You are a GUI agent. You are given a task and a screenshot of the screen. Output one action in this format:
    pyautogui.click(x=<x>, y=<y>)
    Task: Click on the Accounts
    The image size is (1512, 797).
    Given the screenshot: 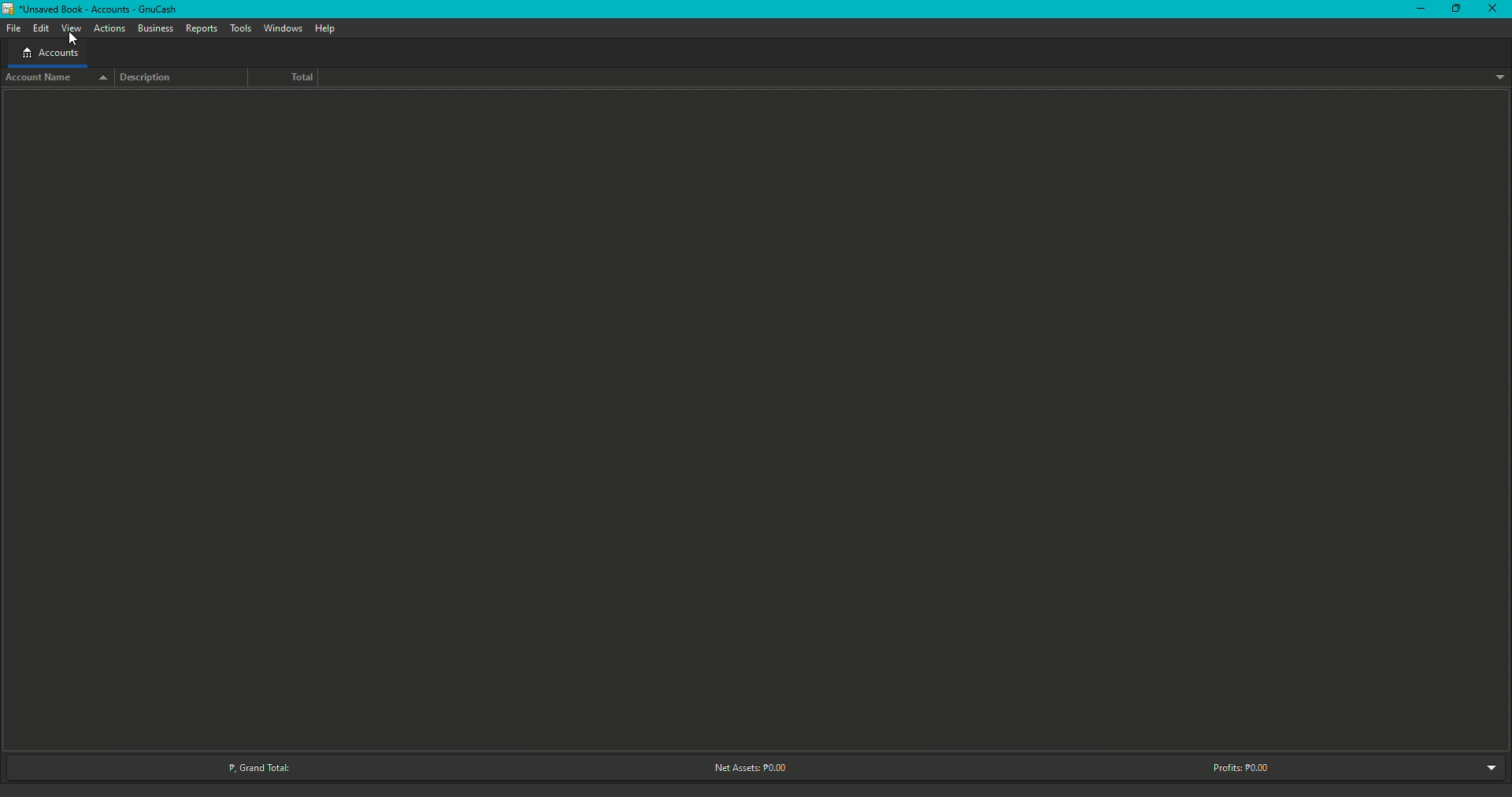 What is the action you would take?
    pyautogui.click(x=50, y=52)
    